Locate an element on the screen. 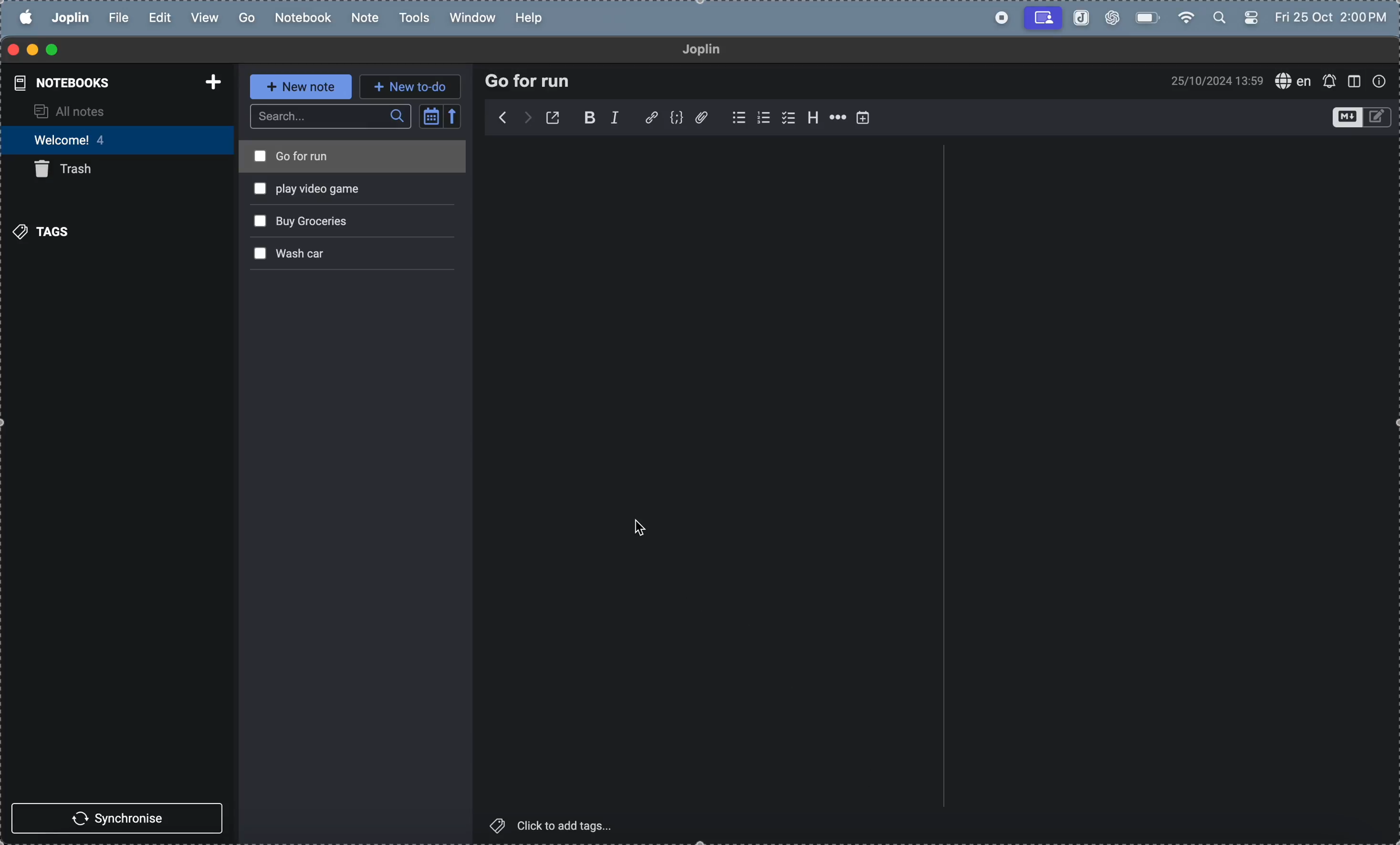 The height and width of the screenshot is (845, 1400). Fri 25 Oct 7:59PM is located at coordinates (1327, 14).